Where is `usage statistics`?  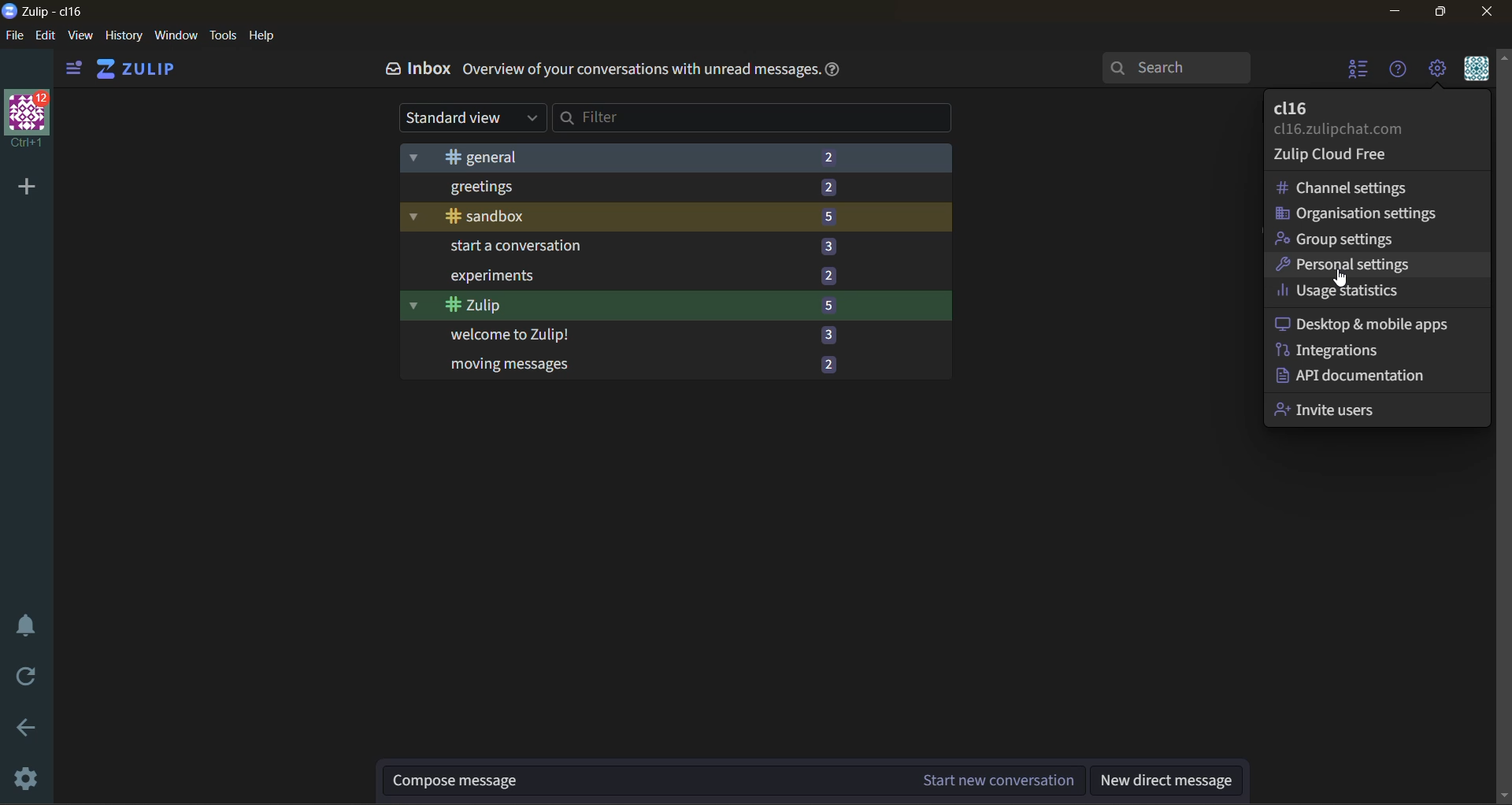 usage statistics is located at coordinates (1340, 291).